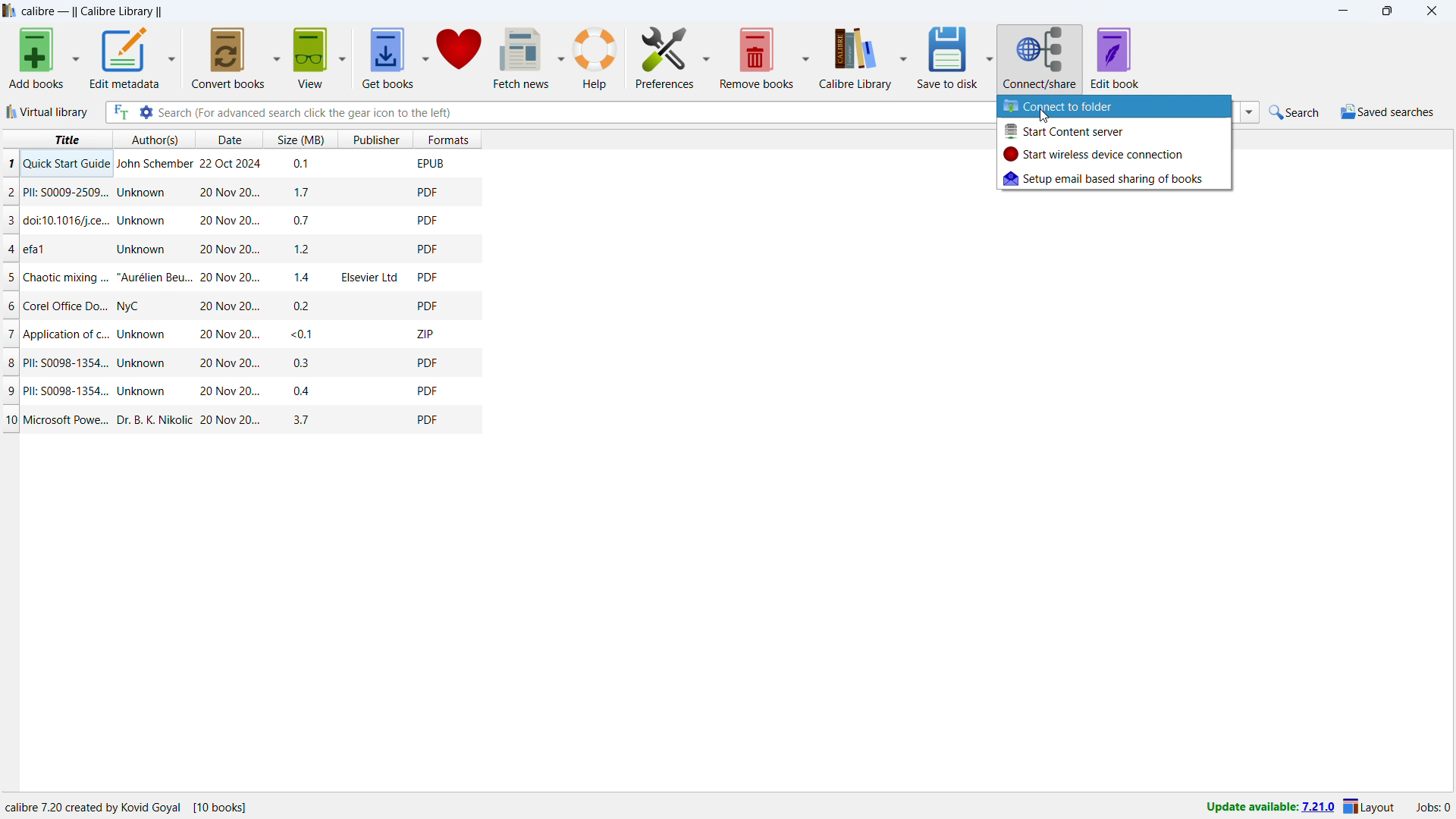 Image resolution: width=1456 pixels, height=819 pixels. What do you see at coordinates (460, 57) in the screenshot?
I see `donate to calibre` at bounding box center [460, 57].